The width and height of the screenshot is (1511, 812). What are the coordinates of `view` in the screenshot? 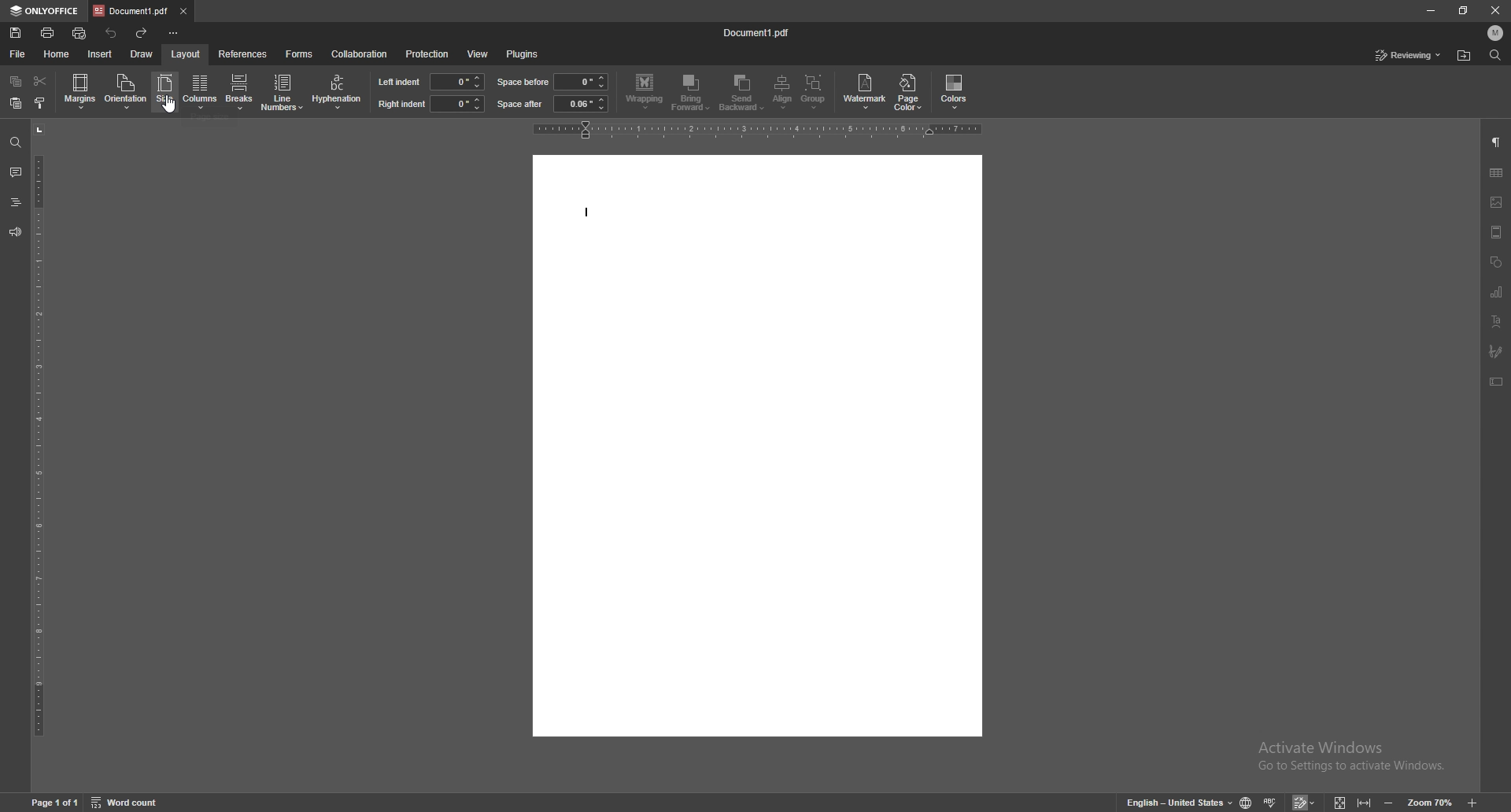 It's located at (477, 55).